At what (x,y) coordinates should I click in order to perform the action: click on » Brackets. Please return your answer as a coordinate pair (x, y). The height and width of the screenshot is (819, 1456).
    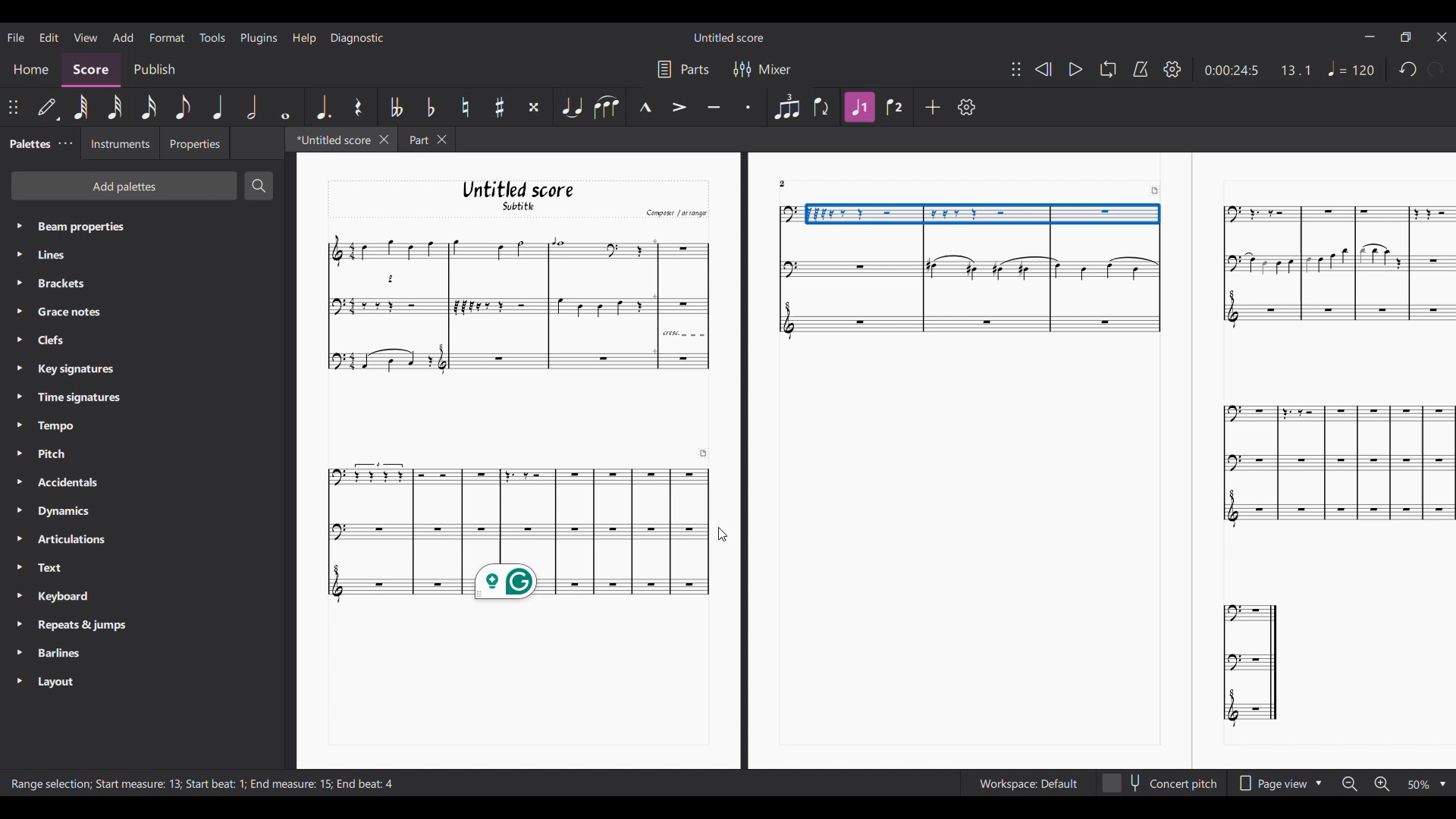
    Looking at the image, I should click on (58, 285).